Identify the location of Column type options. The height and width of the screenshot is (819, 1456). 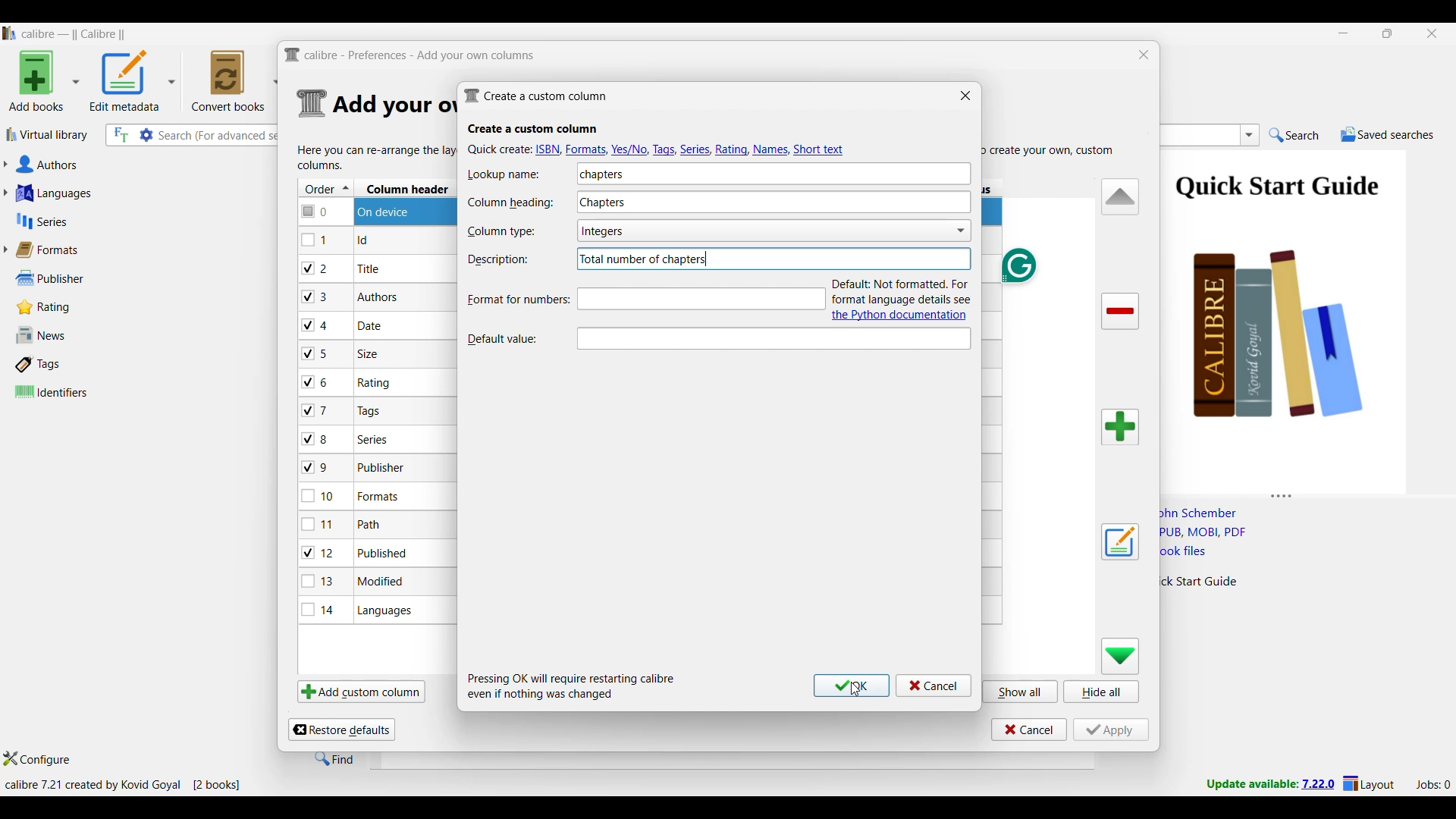
(717, 232).